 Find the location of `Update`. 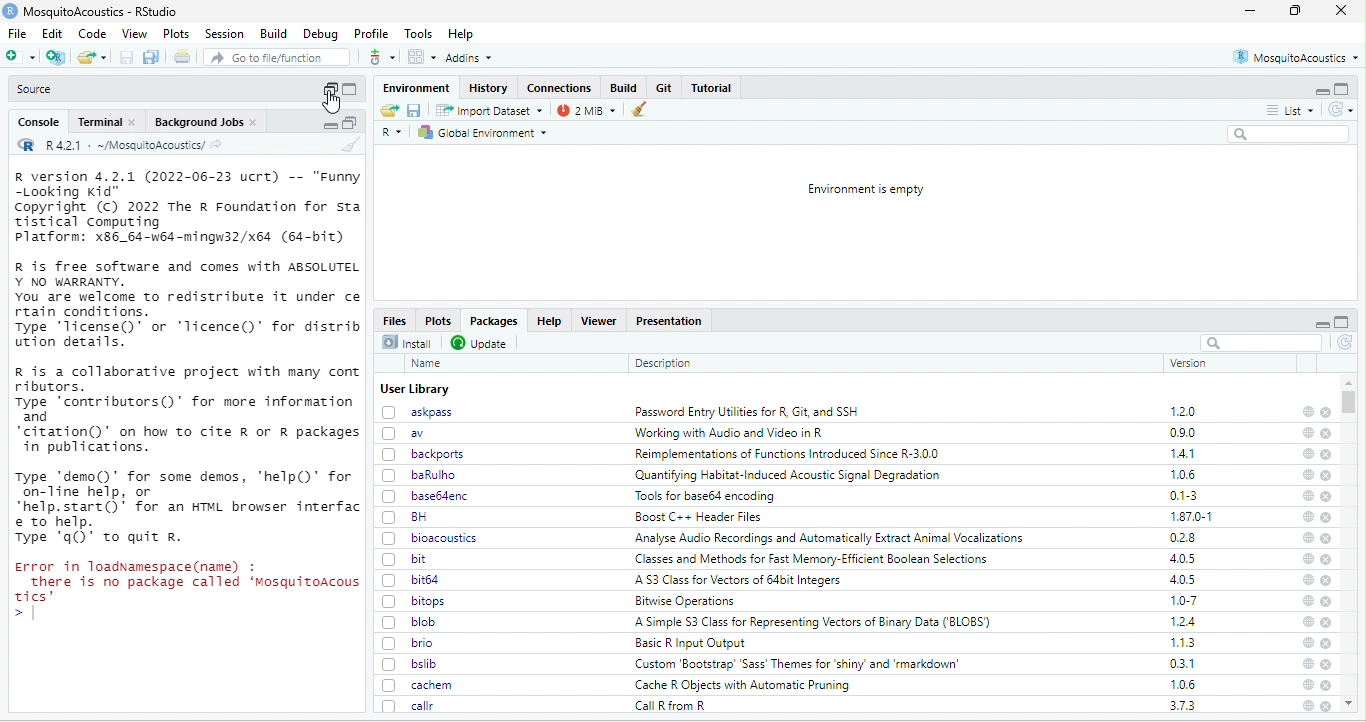

Update is located at coordinates (480, 342).